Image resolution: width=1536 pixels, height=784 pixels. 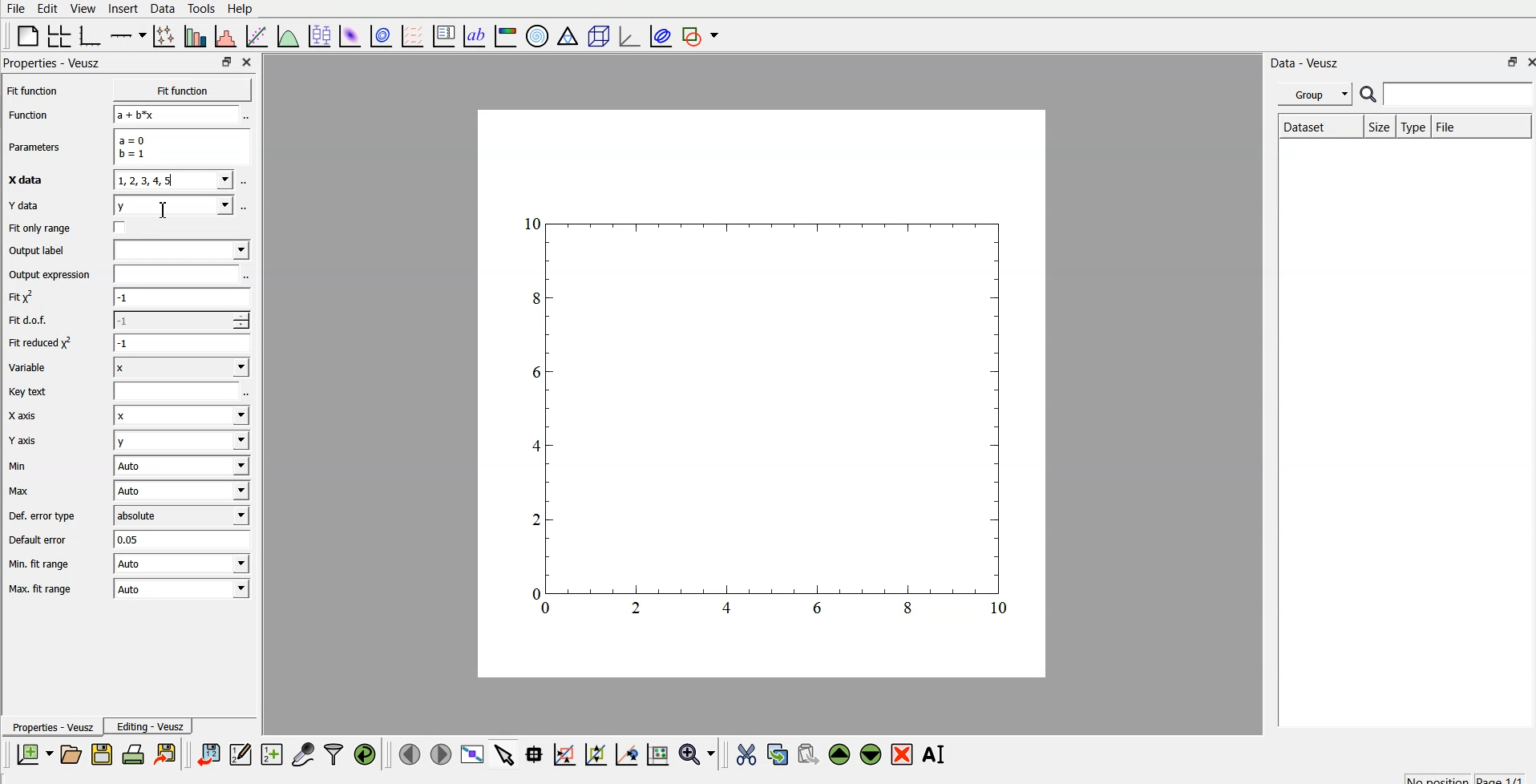 What do you see at coordinates (184, 322) in the screenshot?
I see `1` at bounding box center [184, 322].